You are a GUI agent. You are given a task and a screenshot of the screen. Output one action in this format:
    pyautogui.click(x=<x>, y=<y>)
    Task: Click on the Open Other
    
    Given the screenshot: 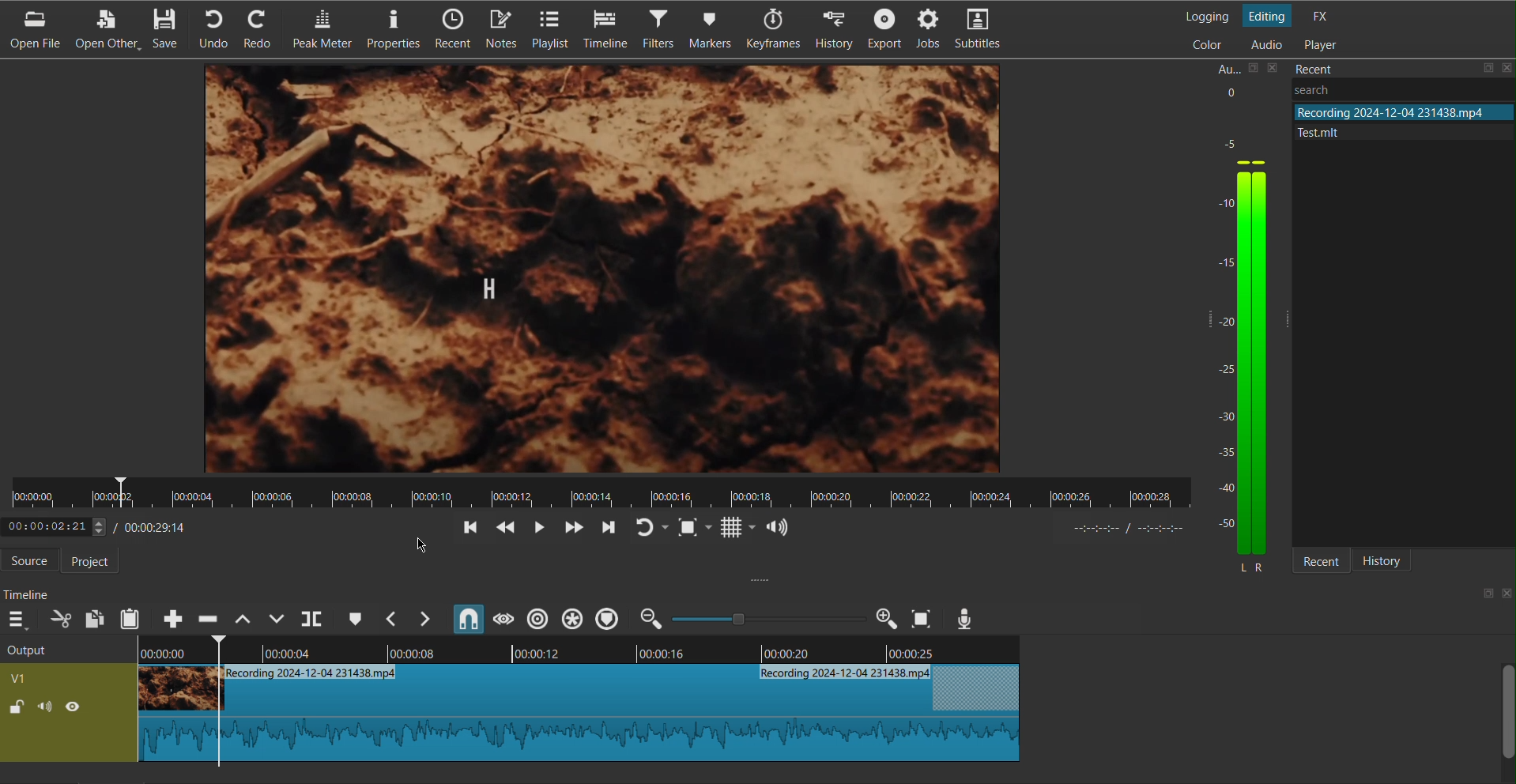 What is the action you would take?
    pyautogui.click(x=109, y=28)
    